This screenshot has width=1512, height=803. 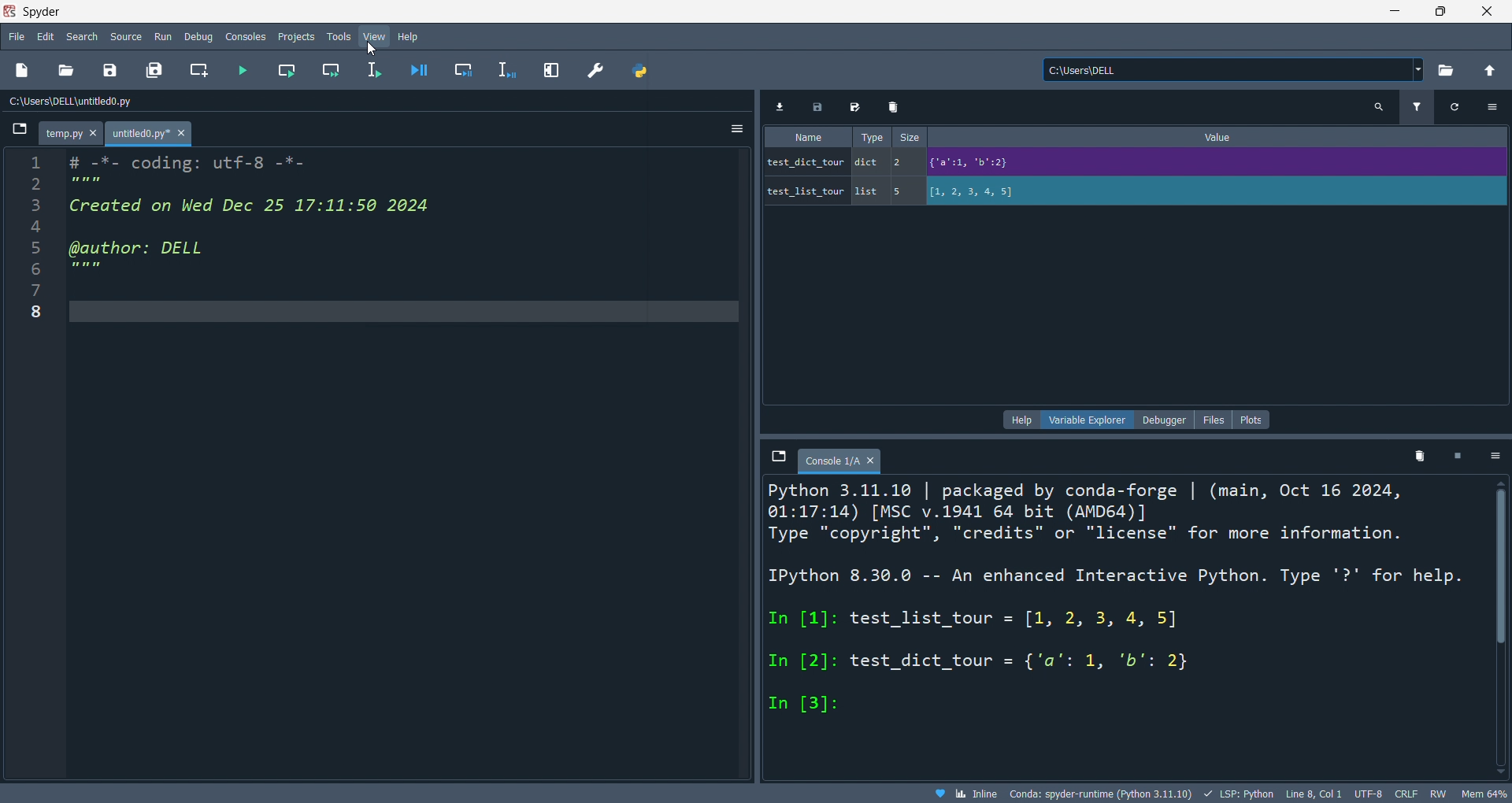 I want to click on maximize, so click(x=1441, y=10).